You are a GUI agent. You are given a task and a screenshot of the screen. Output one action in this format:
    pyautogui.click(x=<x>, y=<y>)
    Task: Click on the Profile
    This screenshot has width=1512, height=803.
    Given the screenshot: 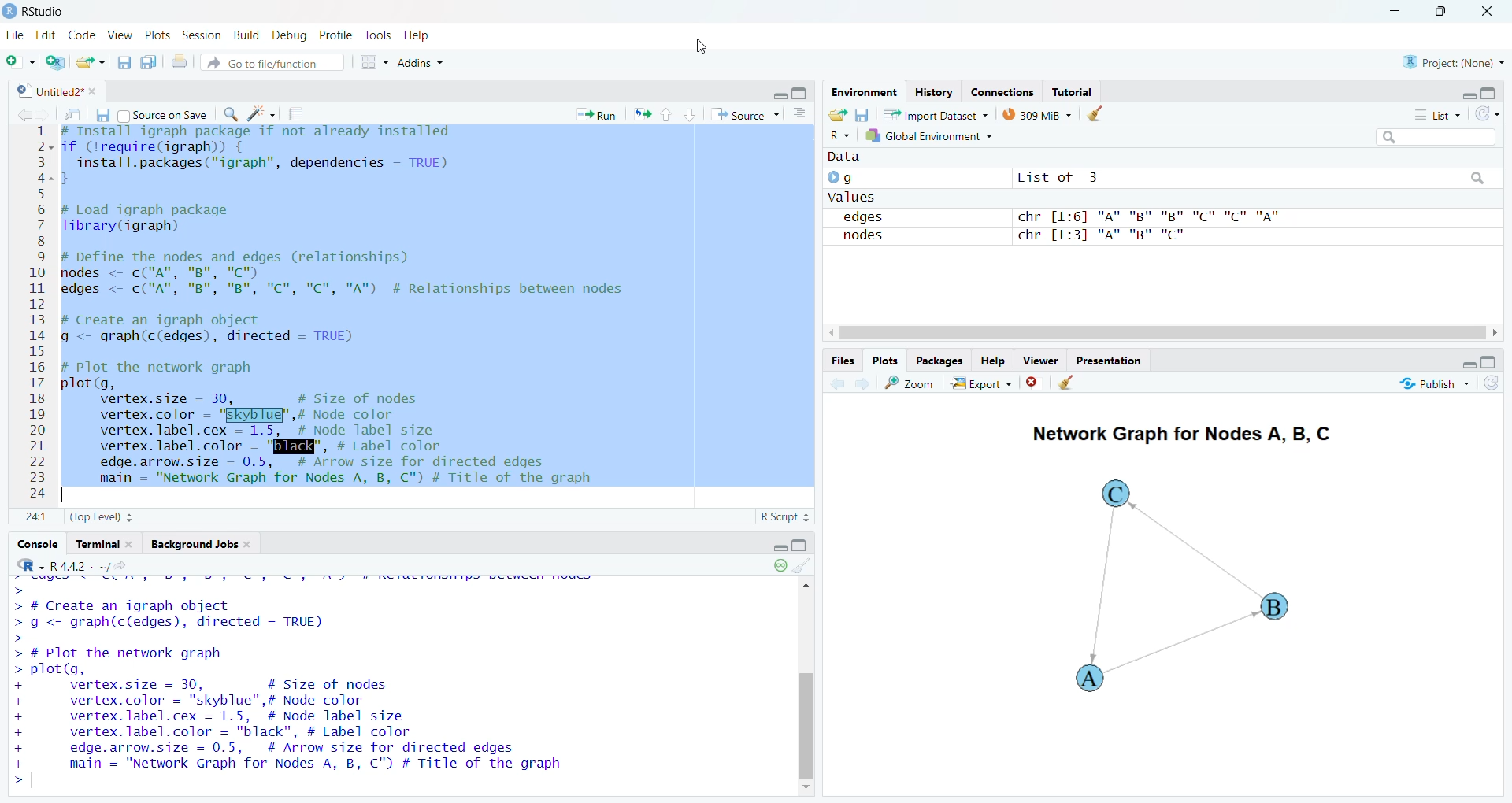 What is the action you would take?
    pyautogui.click(x=335, y=35)
    